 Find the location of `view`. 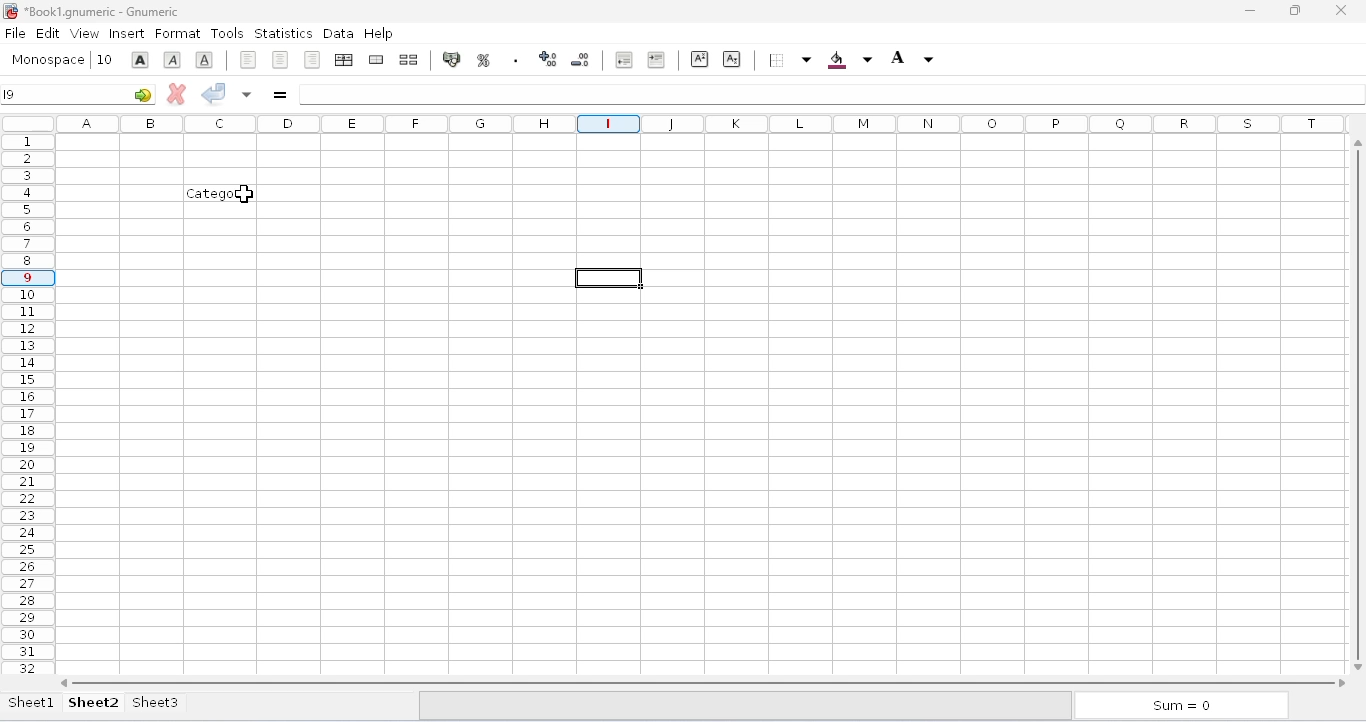

view is located at coordinates (85, 33).